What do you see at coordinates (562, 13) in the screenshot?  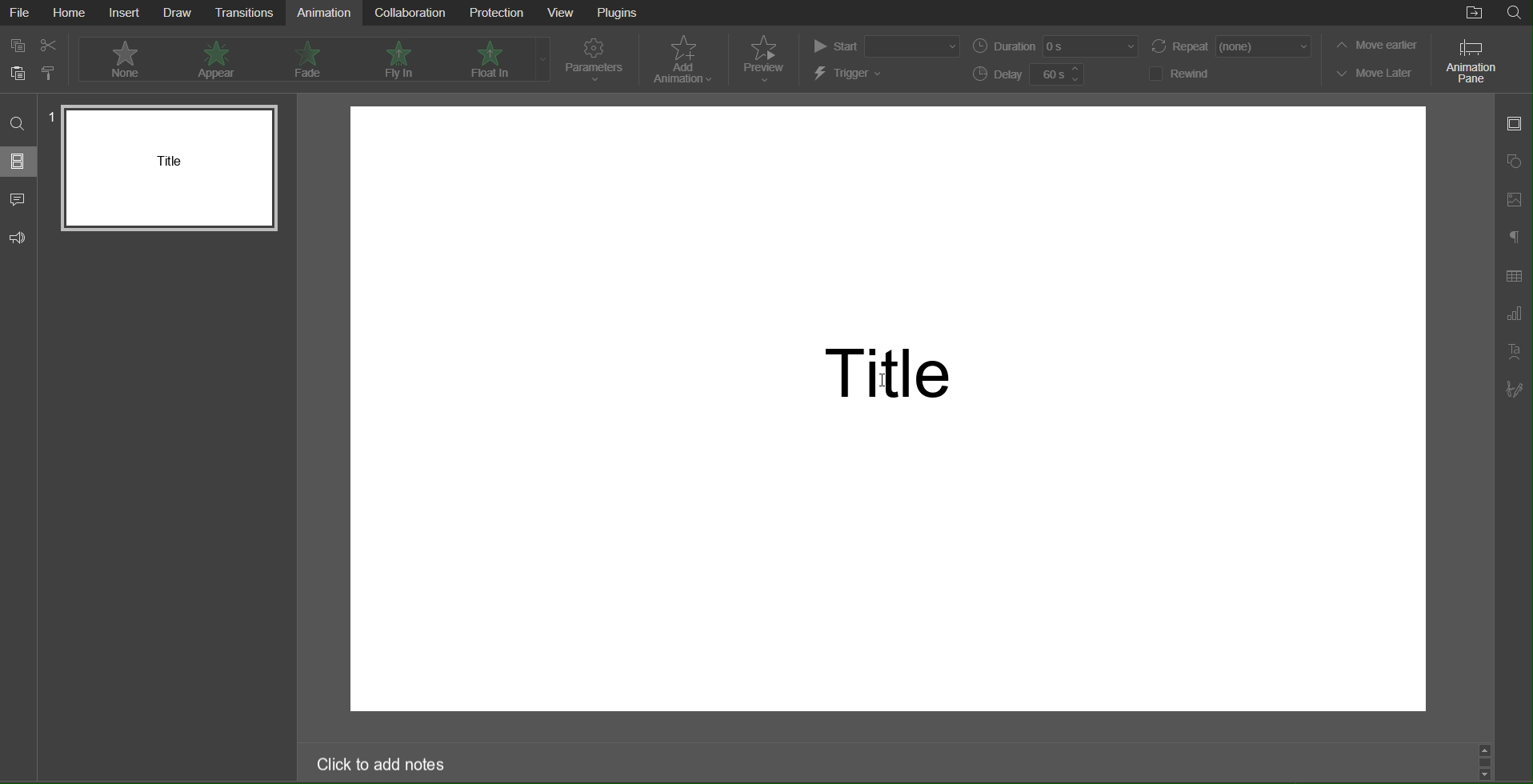 I see `View` at bounding box center [562, 13].